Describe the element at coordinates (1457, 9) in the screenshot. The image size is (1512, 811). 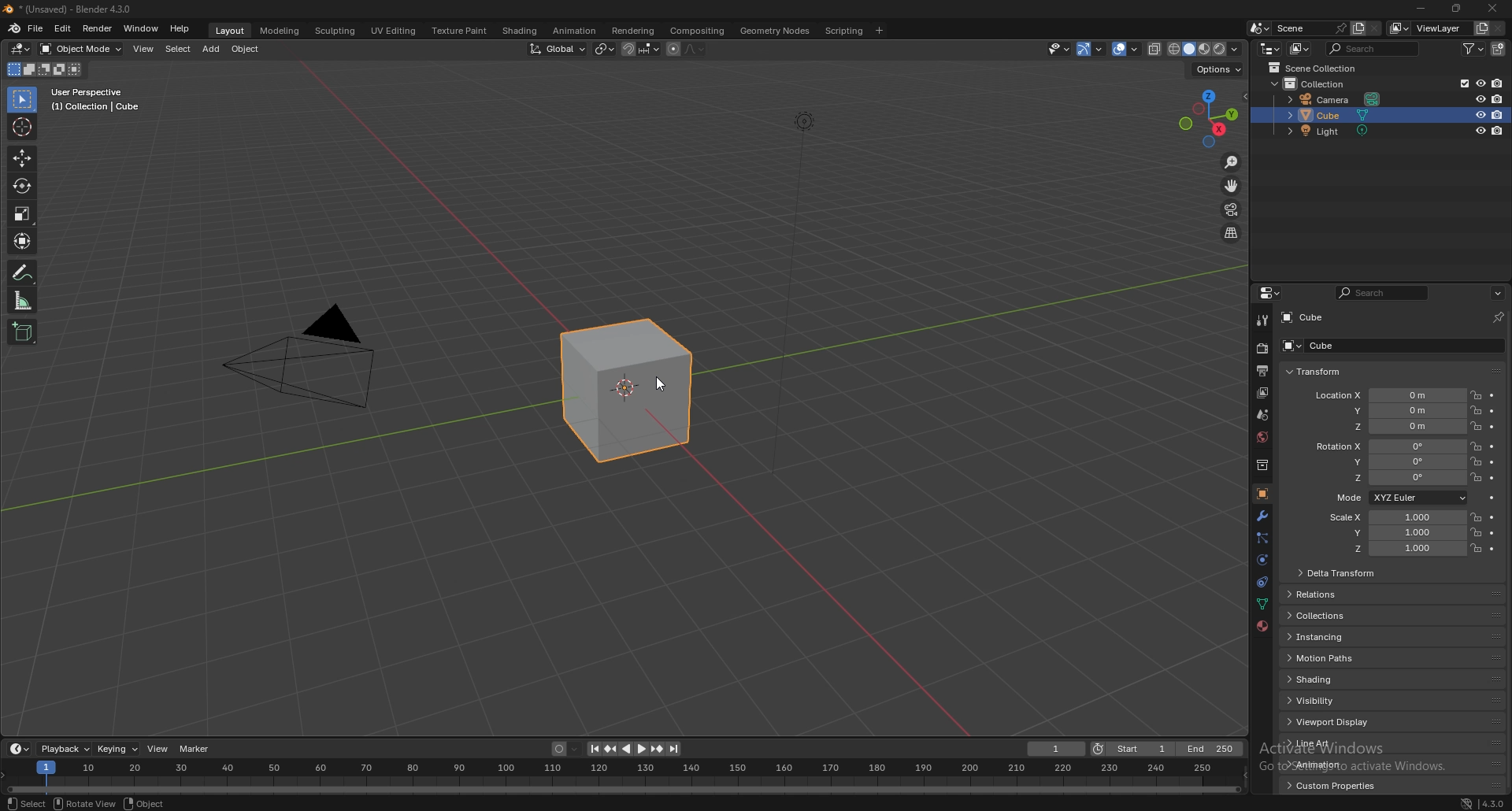
I see `resize` at that location.